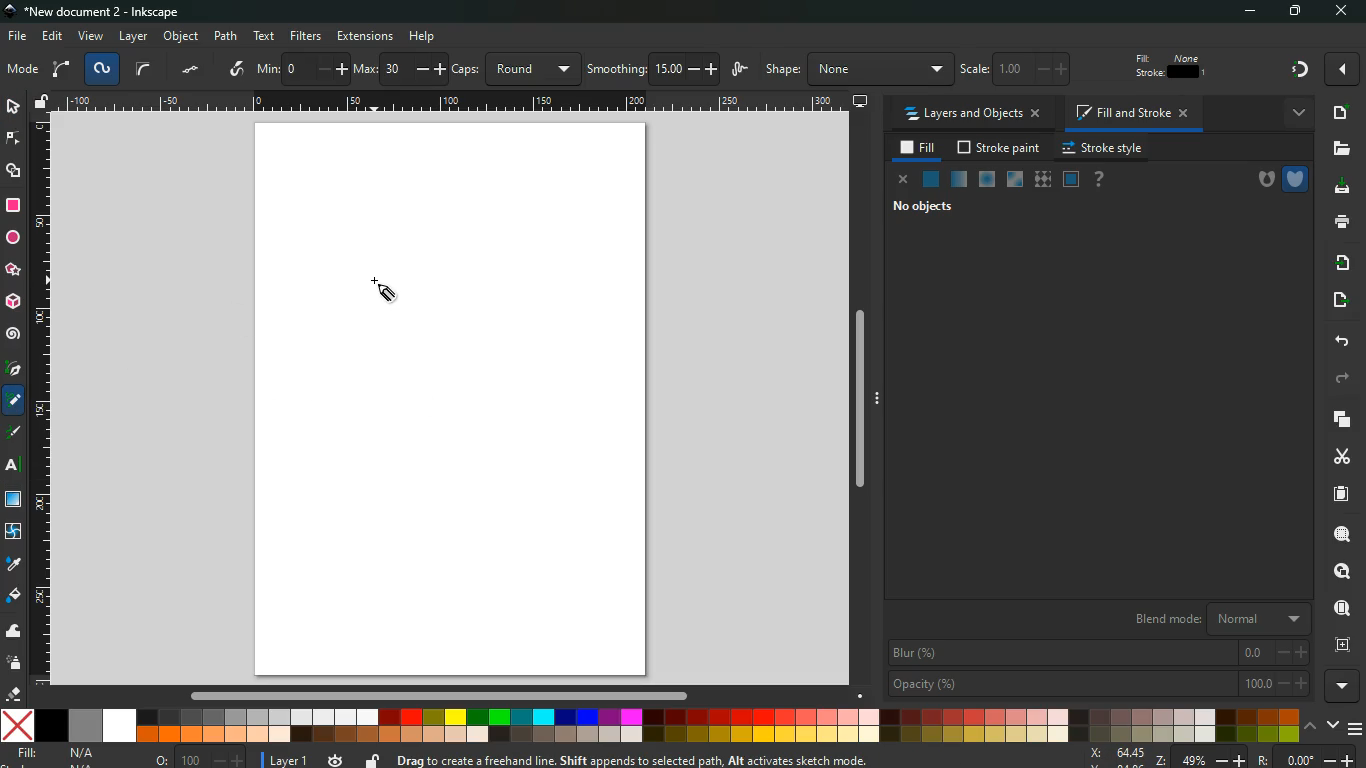 Image resolution: width=1366 pixels, height=768 pixels. What do you see at coordinates (54, 35) in the screenshot?
I see `edit` at bounding box center [54, 35].